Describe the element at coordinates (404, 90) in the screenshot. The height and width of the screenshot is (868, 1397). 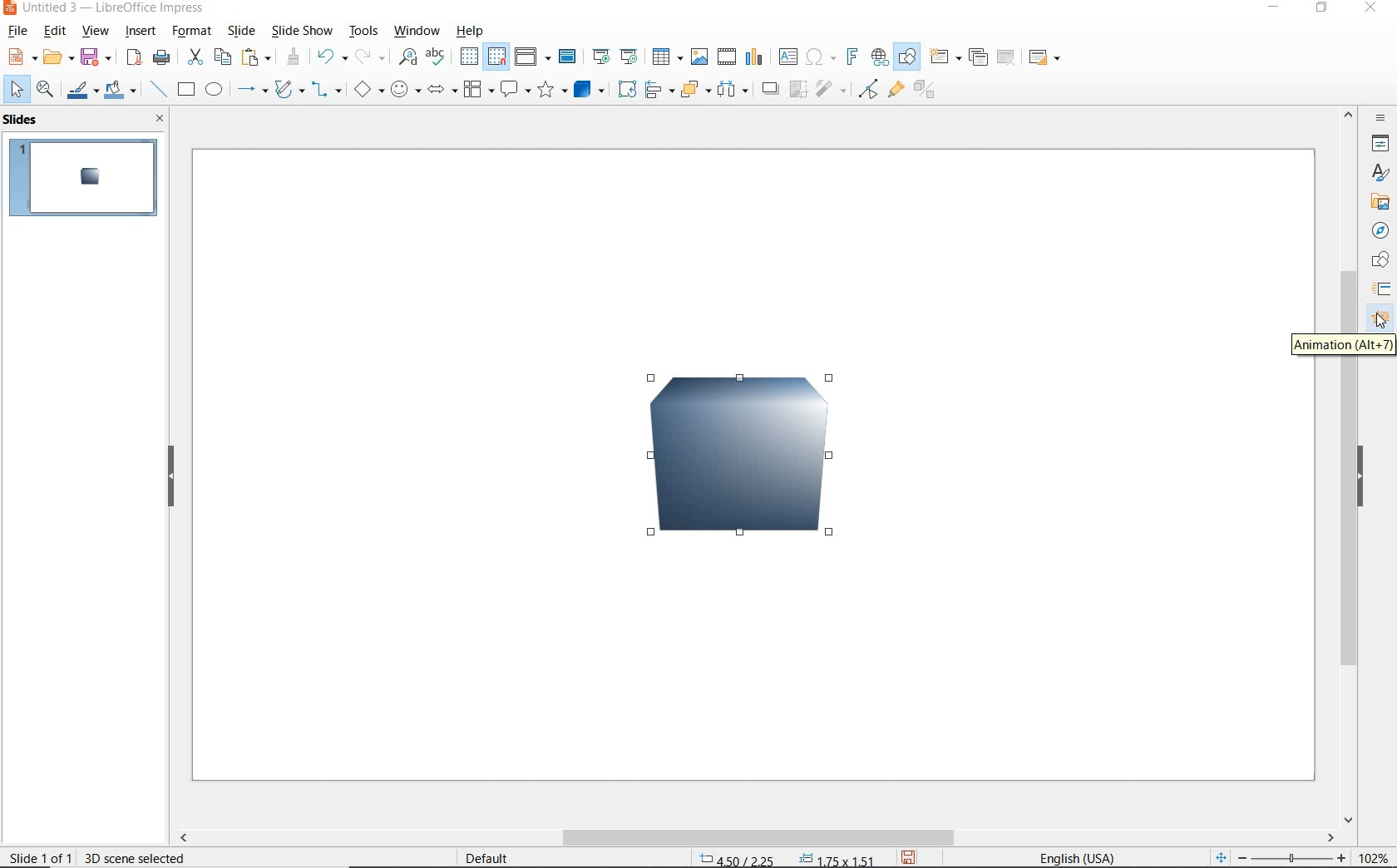
I see `symbol shapes` at that location.